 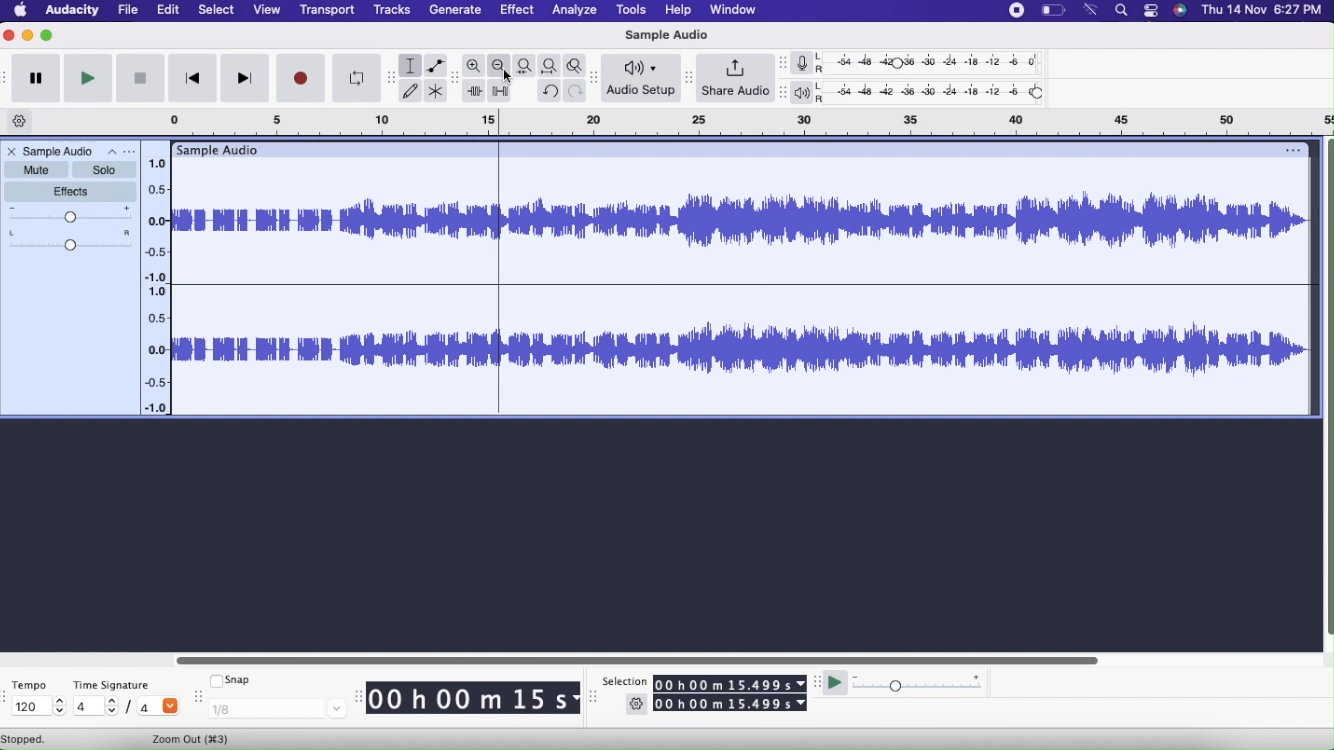 What do you see at coordinates (1153, 14) in the screenshot?
I see `options` at bounding box center [1153, 14].